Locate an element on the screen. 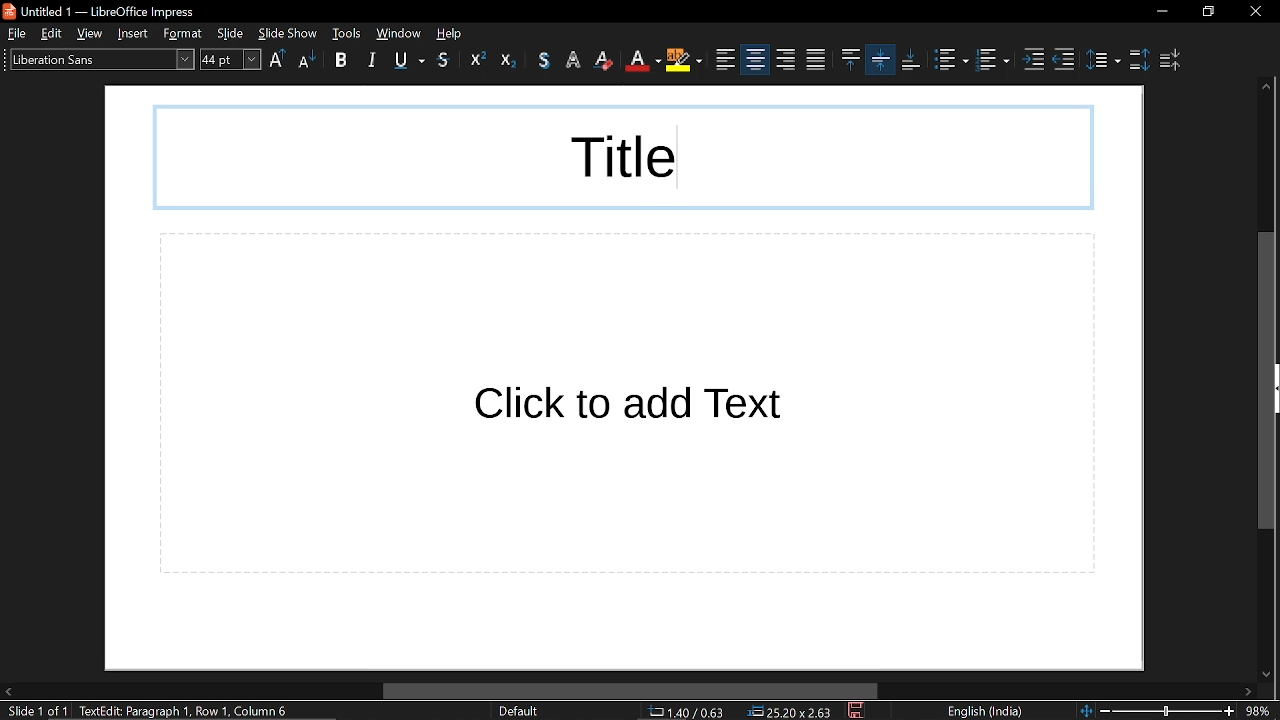  text: edit paragraph 1, row 1, column 6 is located at coordinates (191, 711).